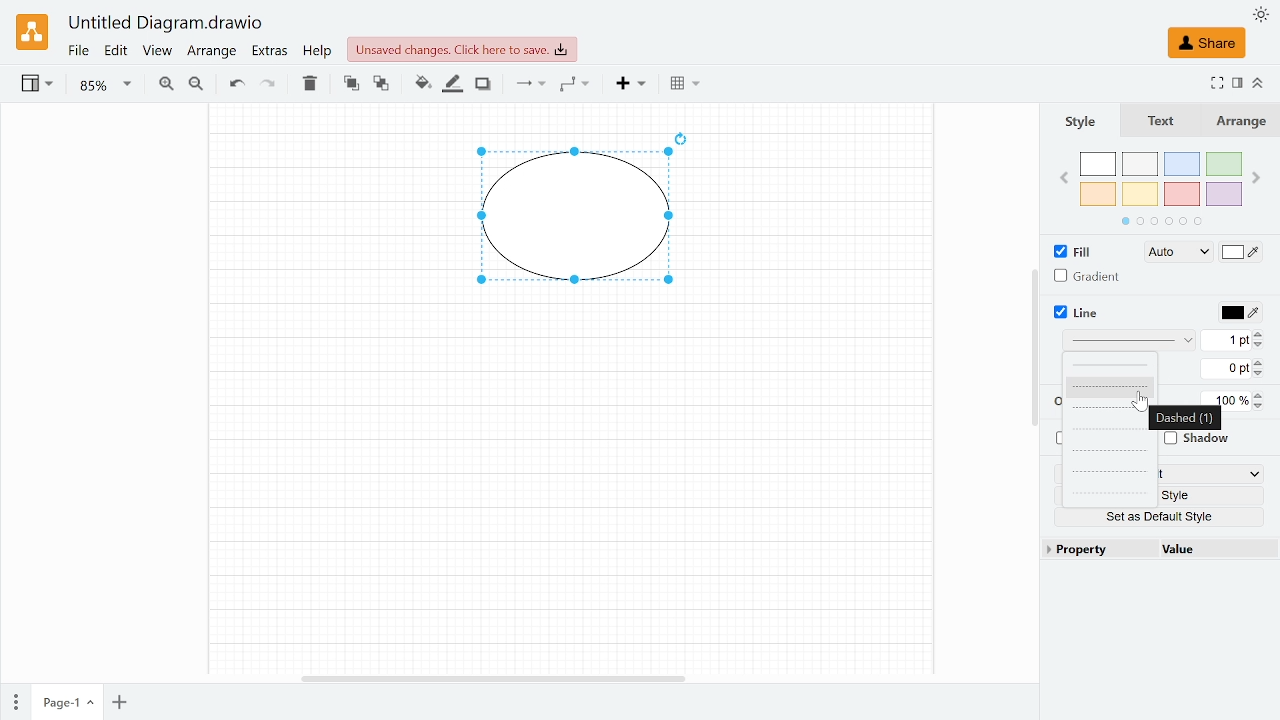 This screenshot has width=1280, height=720. I want to click on Decrease perimeter, so click(1263, 374).